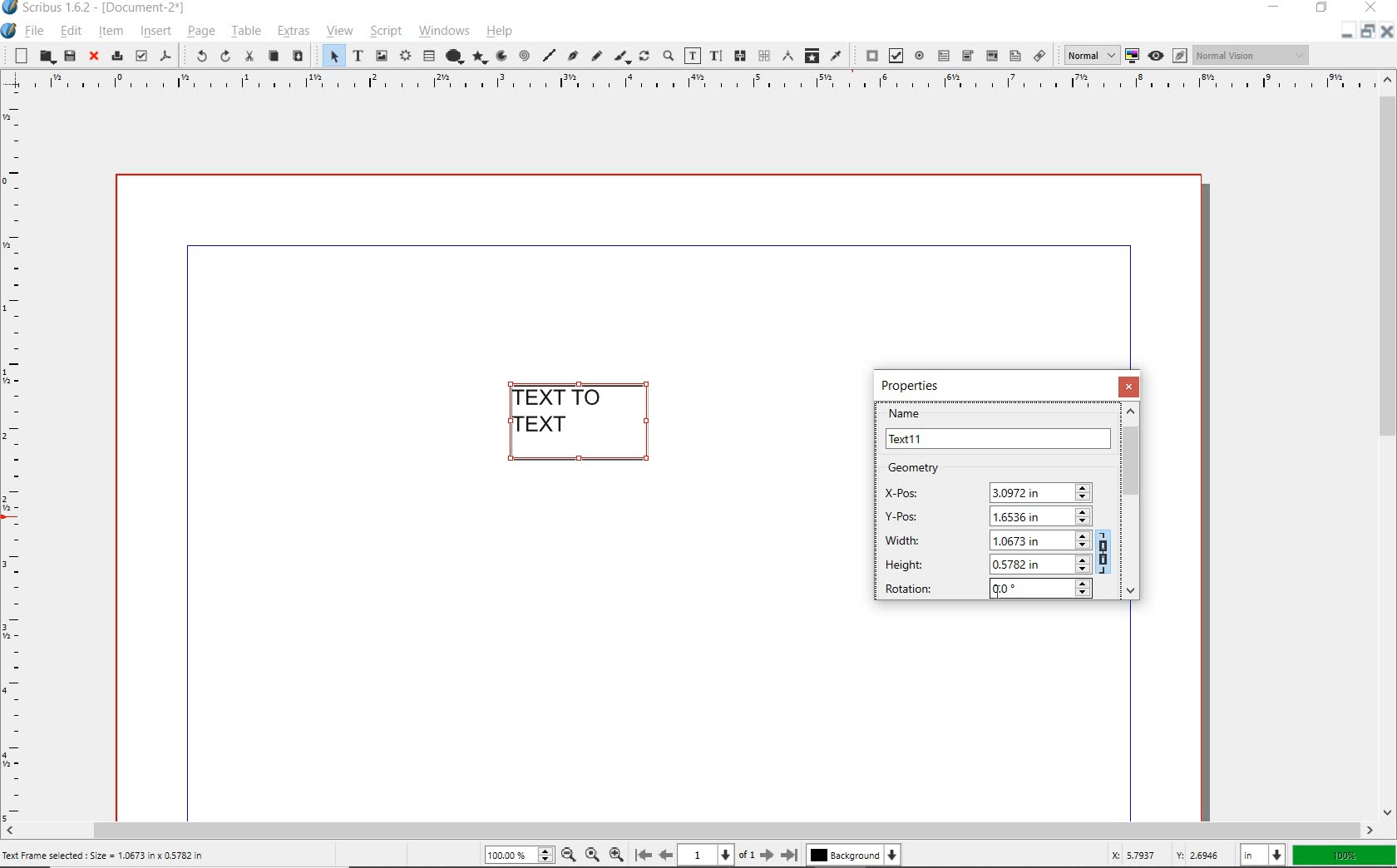  What do you see at coordinates (47, 57) in the screenshot?
I see `open` at bounding box center [47, 57].